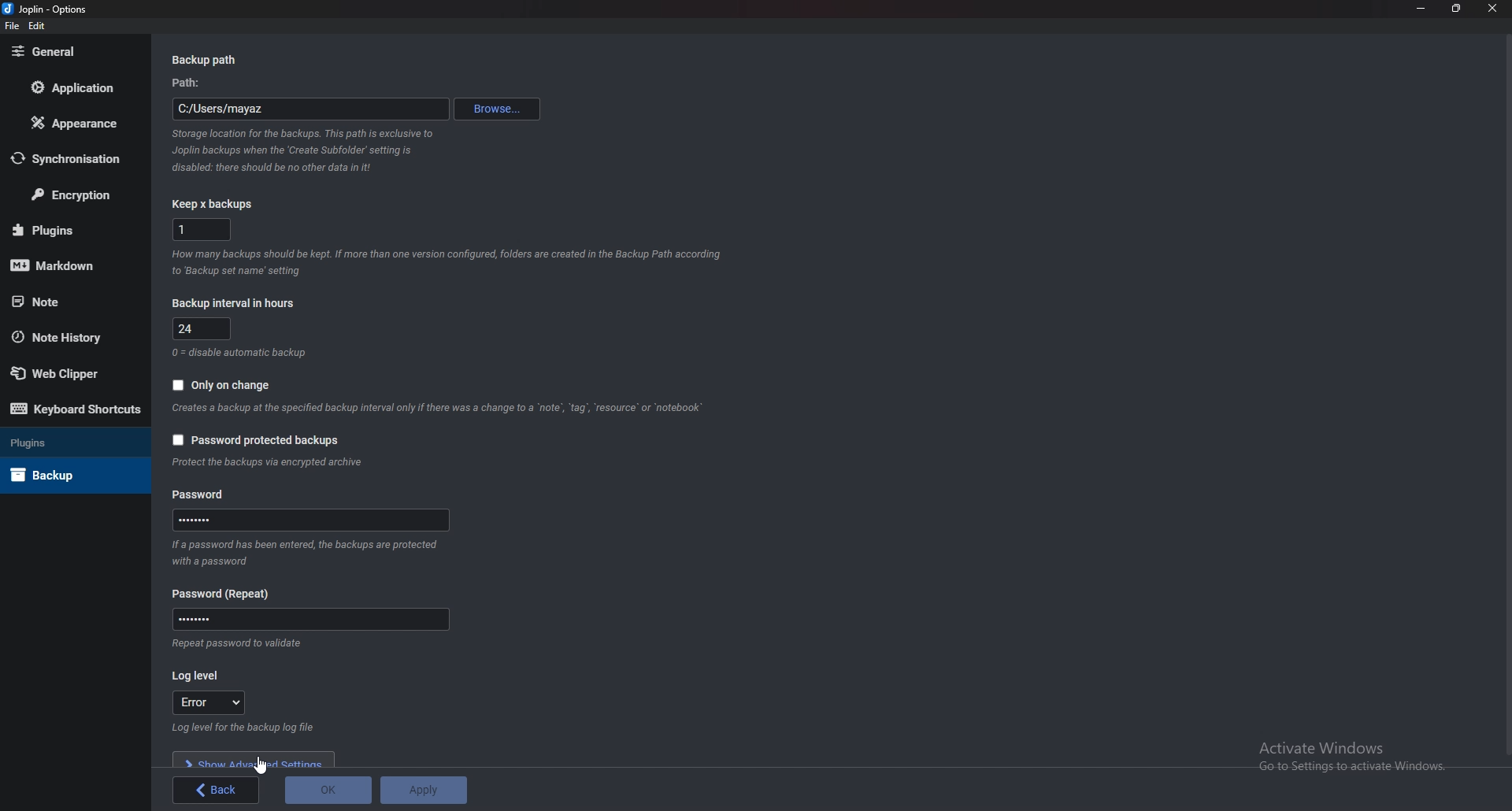 The height and width of the screenshot is (811, 1512). What do you see at coordinates (1491, 8) in the screenshot?
I see `close` at bounding box center [1491, 8].